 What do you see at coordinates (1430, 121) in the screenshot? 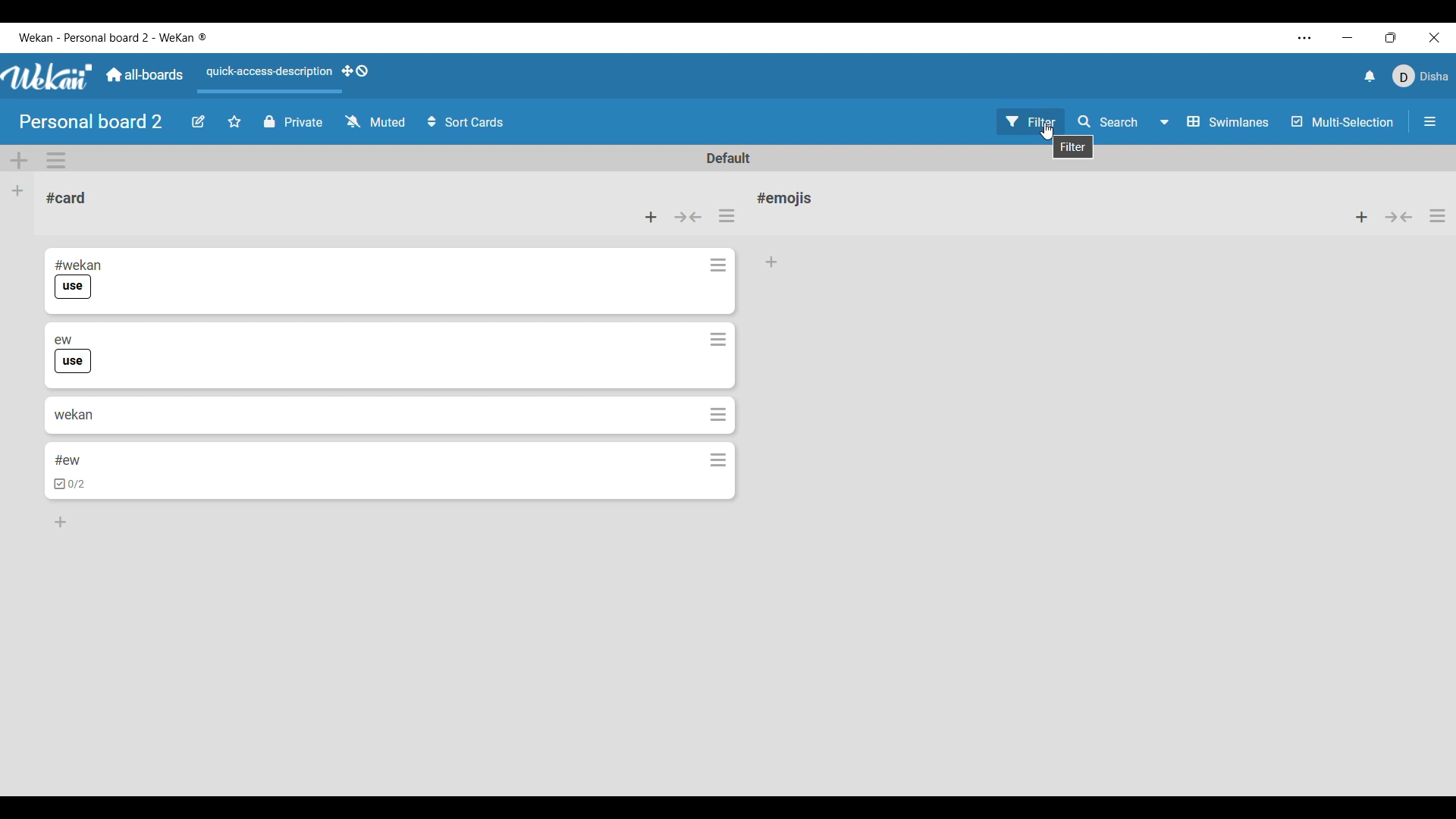
I see `Open/Close sidebar` at bounding box center [1430, 121].